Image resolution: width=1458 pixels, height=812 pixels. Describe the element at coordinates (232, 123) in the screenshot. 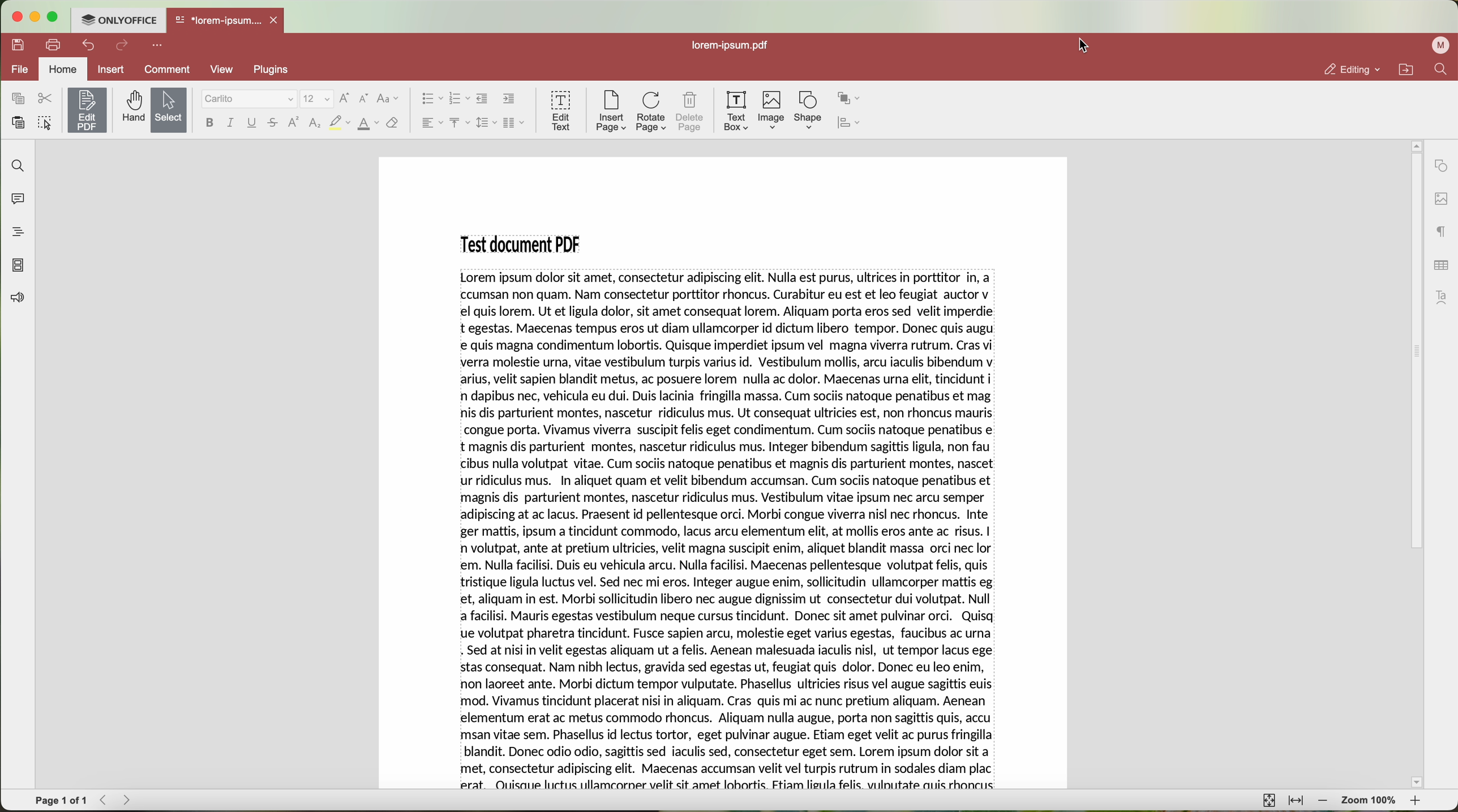

I see `italic` at that location.